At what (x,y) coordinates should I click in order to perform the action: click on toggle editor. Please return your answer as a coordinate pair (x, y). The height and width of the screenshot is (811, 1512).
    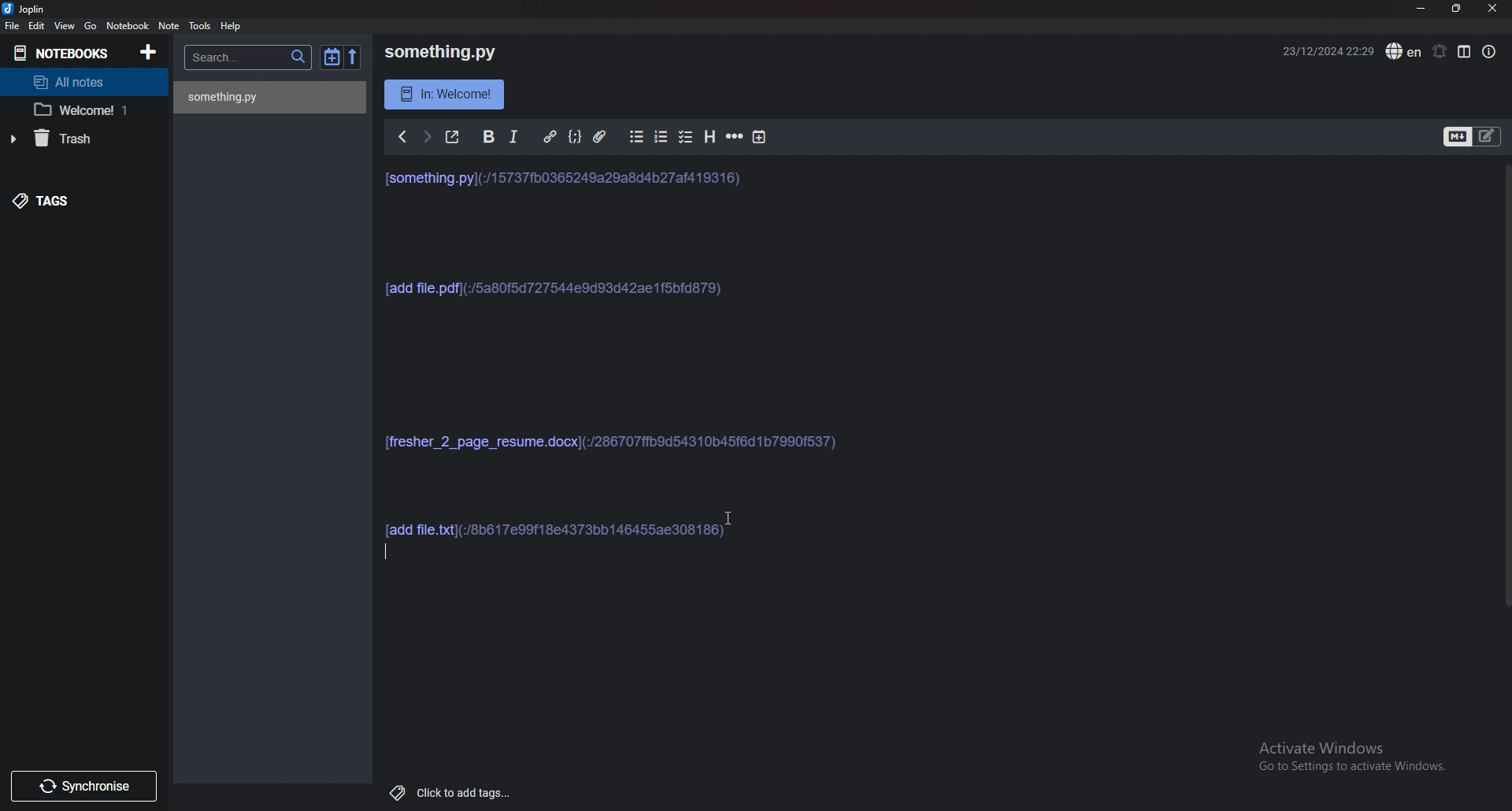
    Looking at the image, I should click on (1472, 135).